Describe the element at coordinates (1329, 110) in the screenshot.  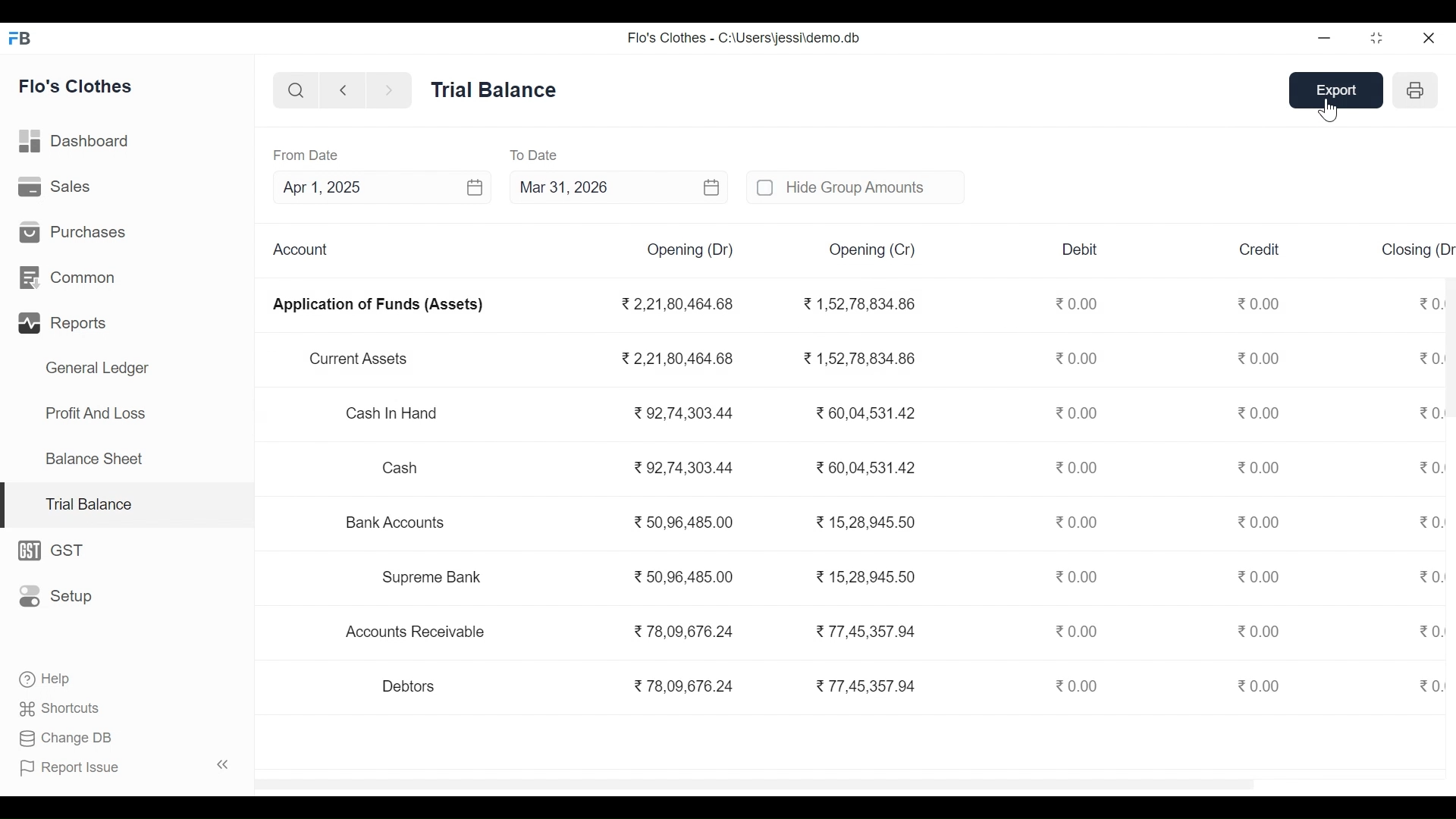
I see `cursor` at that location.